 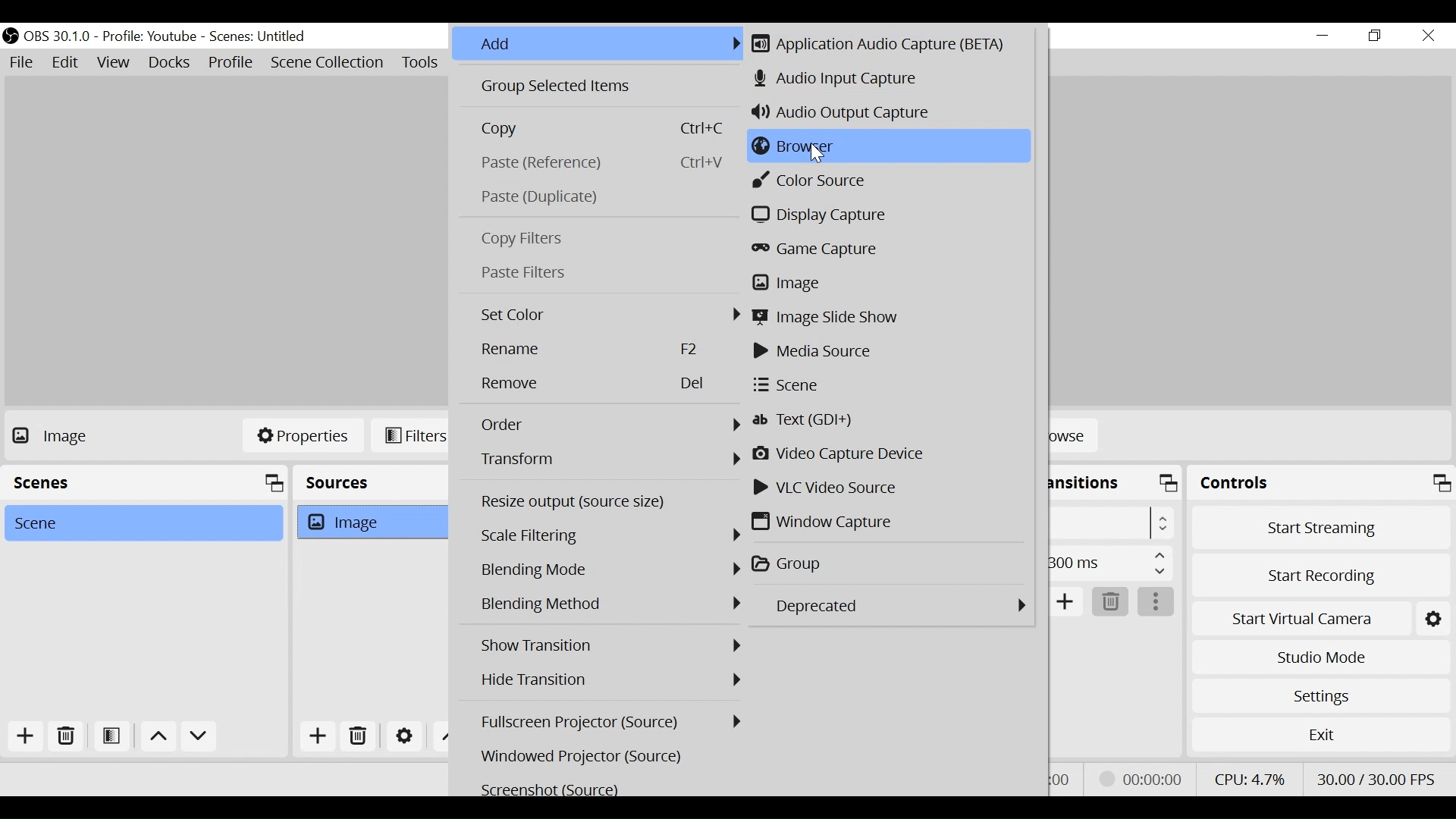 What do you see at coordinates (1431, 620) in the screenshot?
I see `Settings` at bounding box center [1431, 620].